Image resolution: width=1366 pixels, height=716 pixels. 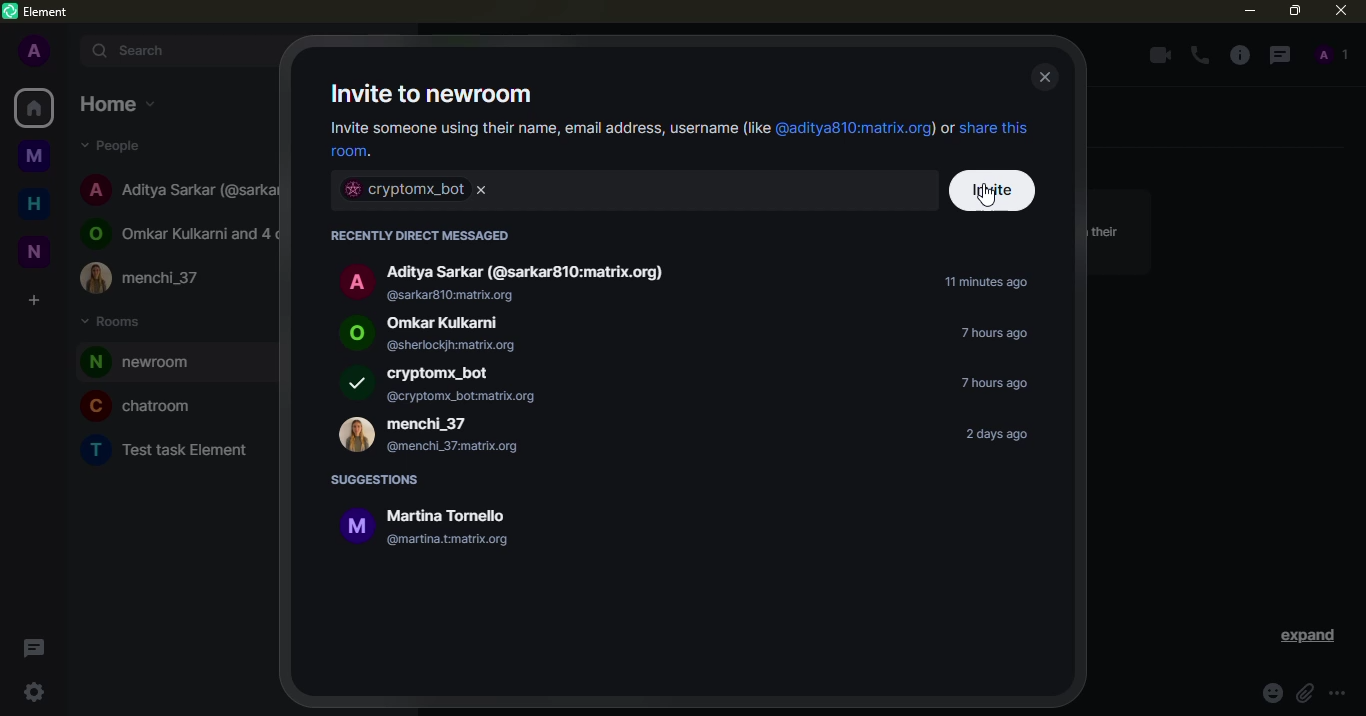 What do you see at coordinates (989, 334) in the screenshot?
I see `time` at bounding box center [989, 334].